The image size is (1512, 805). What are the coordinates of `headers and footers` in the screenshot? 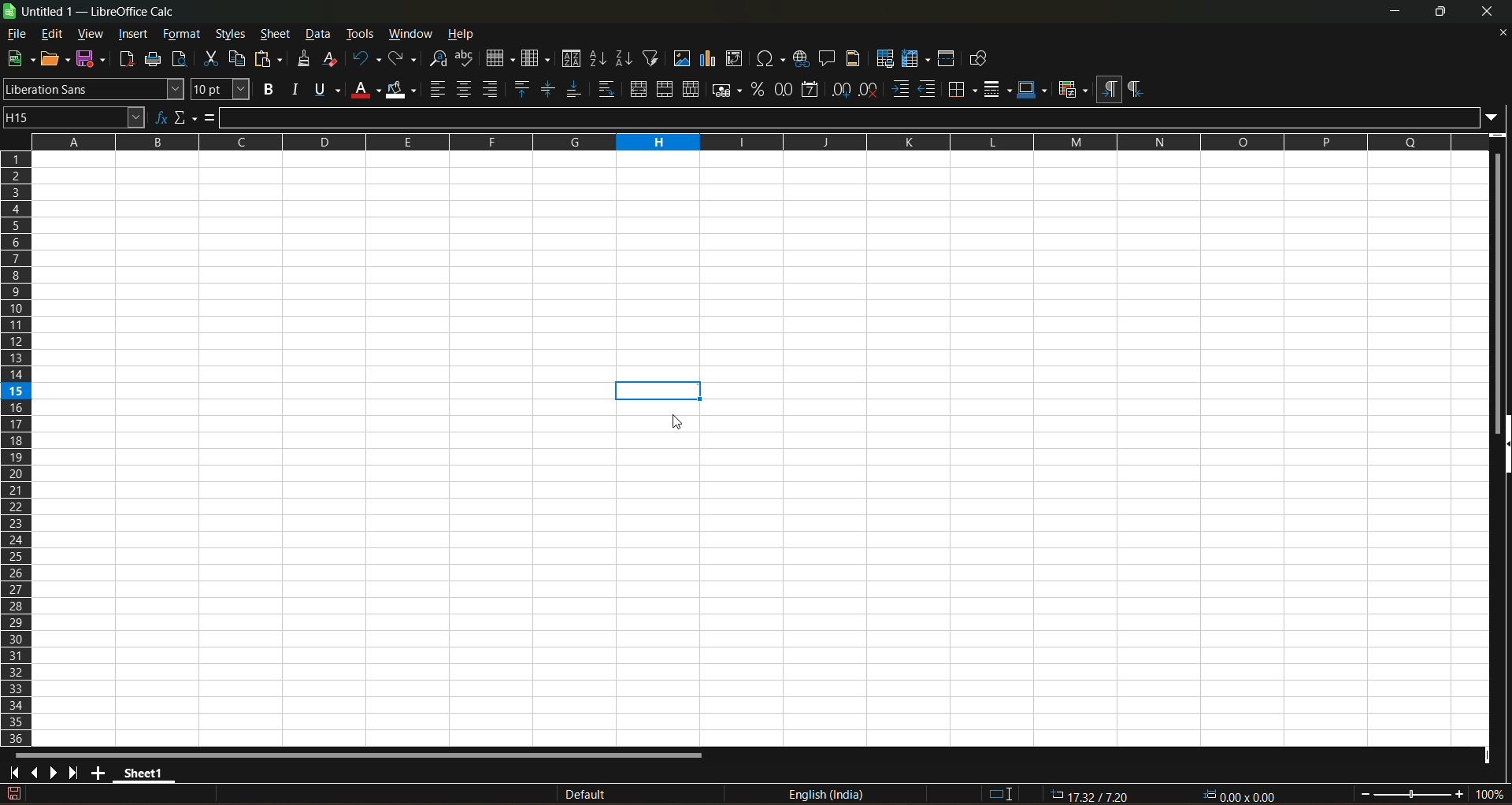 It's located at (854, 59).